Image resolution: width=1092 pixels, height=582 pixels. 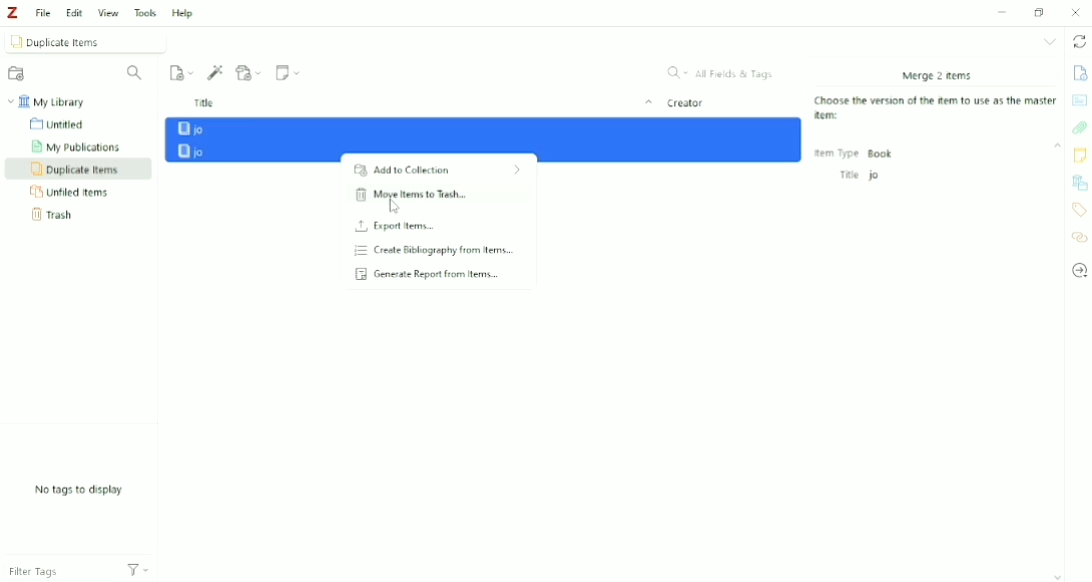 I want to click on Generate Report from Items, so click(x=436, y=274).